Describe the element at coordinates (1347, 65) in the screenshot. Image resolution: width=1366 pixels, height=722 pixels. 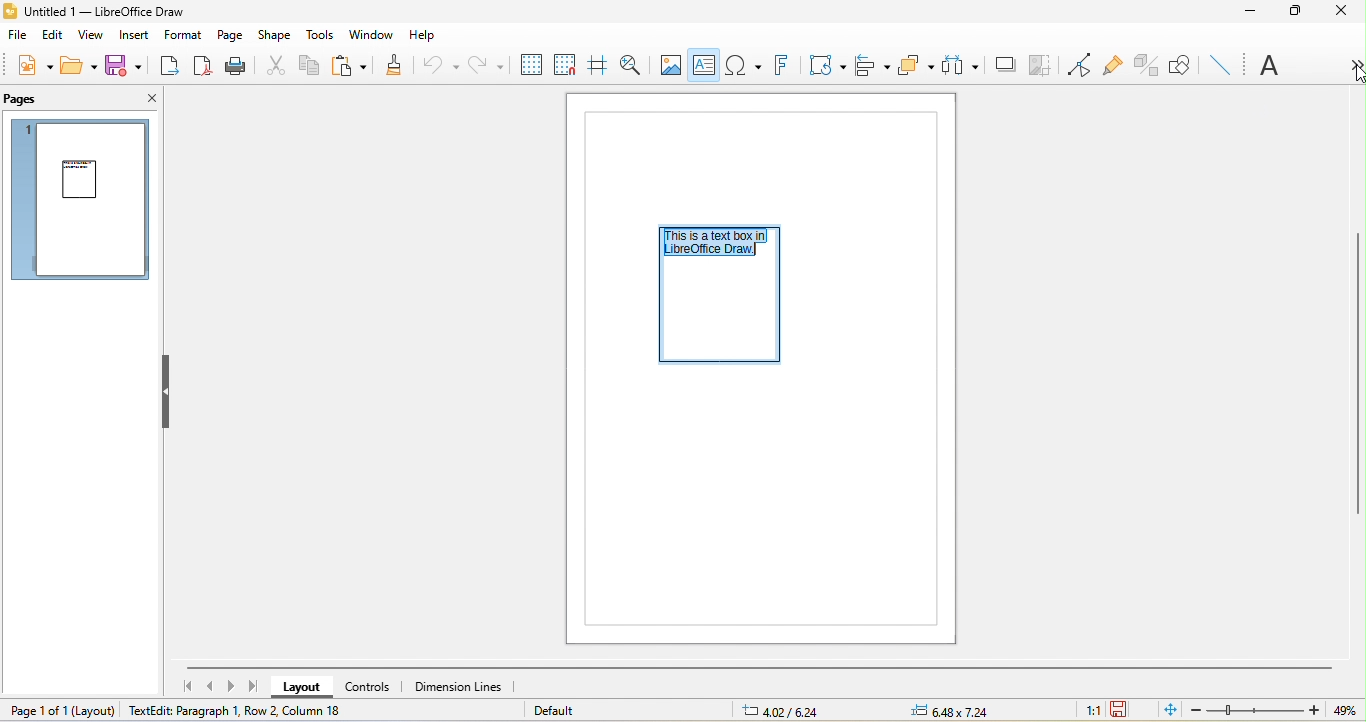
I see `more option` at that location.